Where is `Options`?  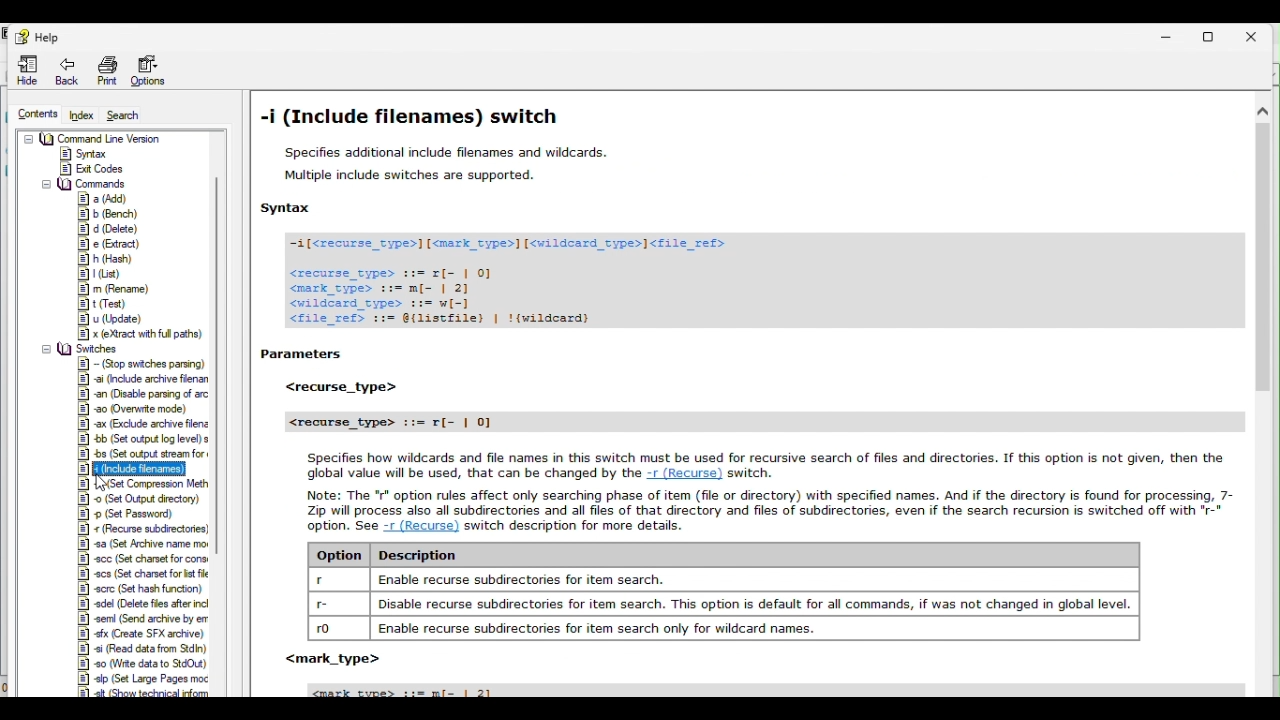
Options is located at coordinates (153, 66).